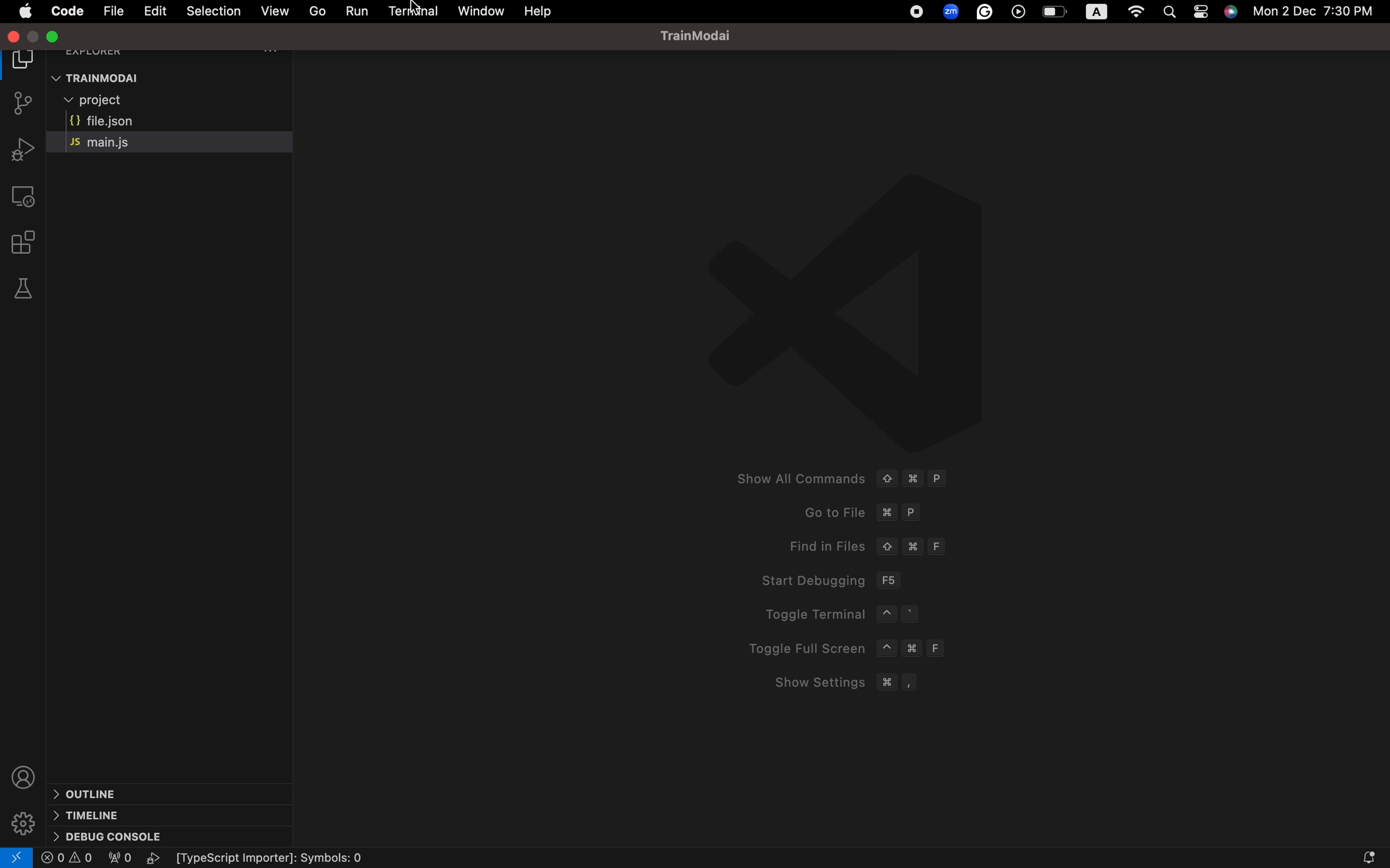  What do you see at coordinates (118, 100) in the screenshot?
I see `projects` at bounding box center [118, 100].